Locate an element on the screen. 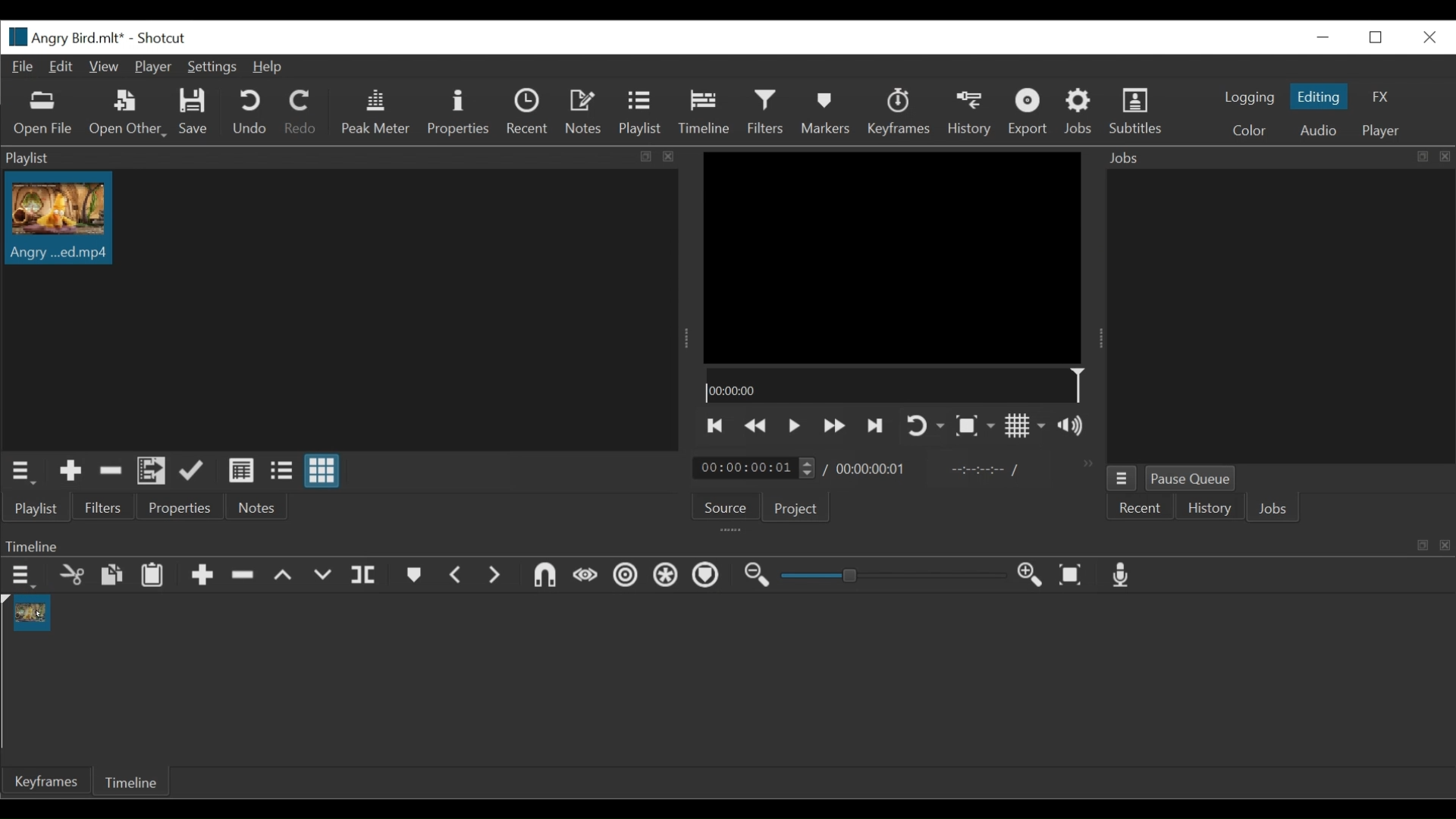 The height and width of the screenshot is (819, 1456). Recent is located at coordinates (1144, 510).